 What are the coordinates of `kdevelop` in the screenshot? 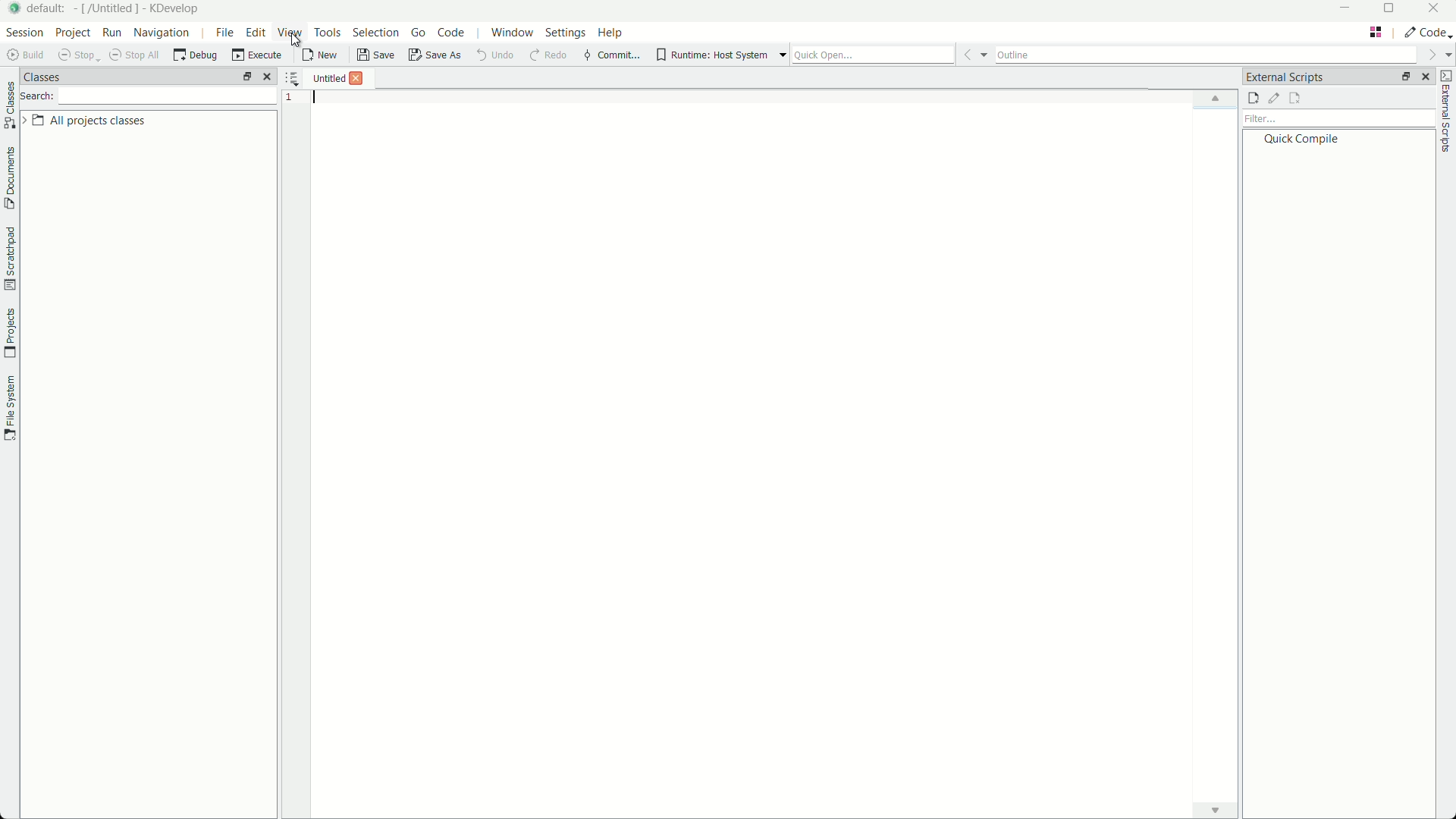 It's located at (175, 8).